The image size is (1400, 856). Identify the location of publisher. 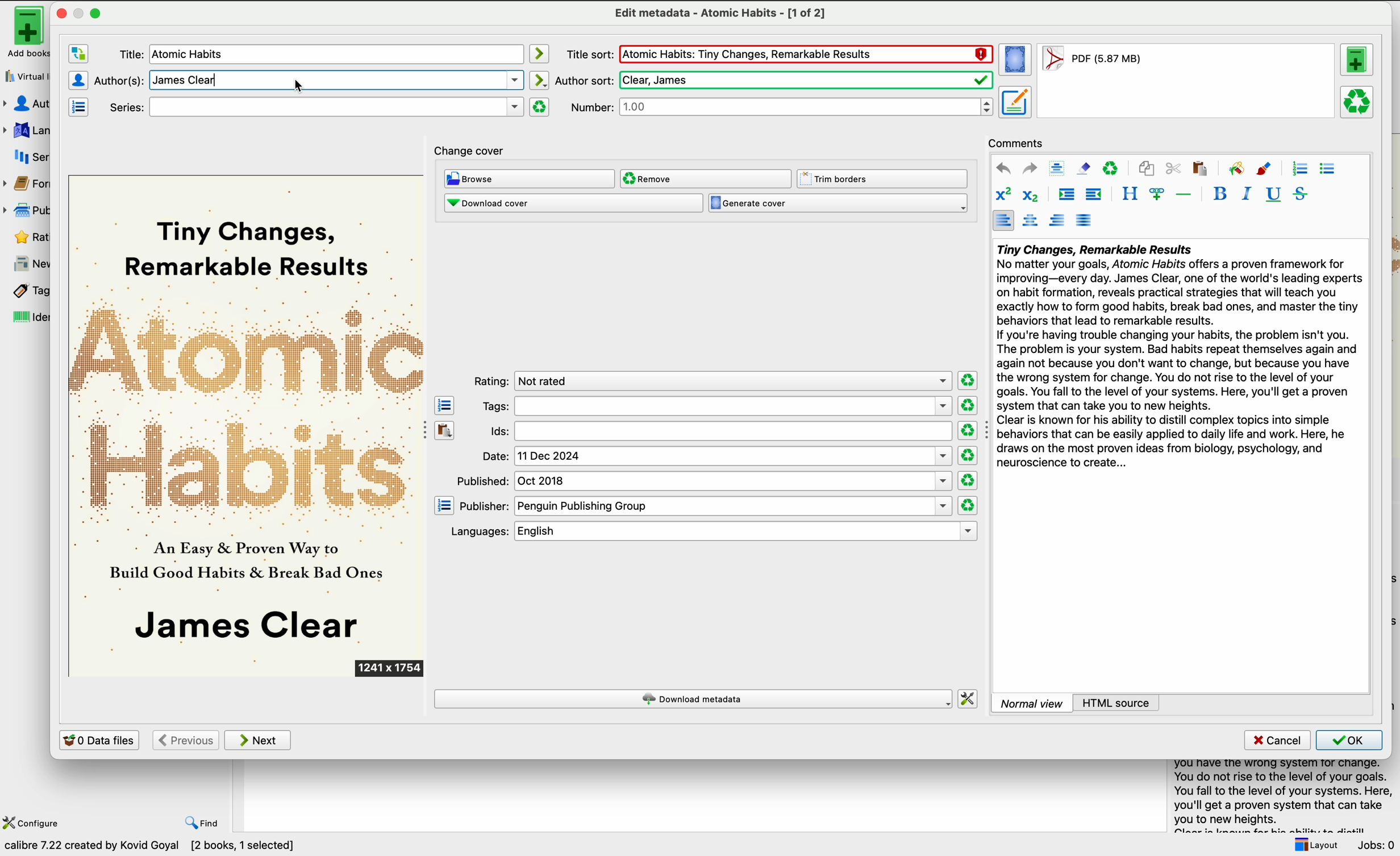
(705, 506).